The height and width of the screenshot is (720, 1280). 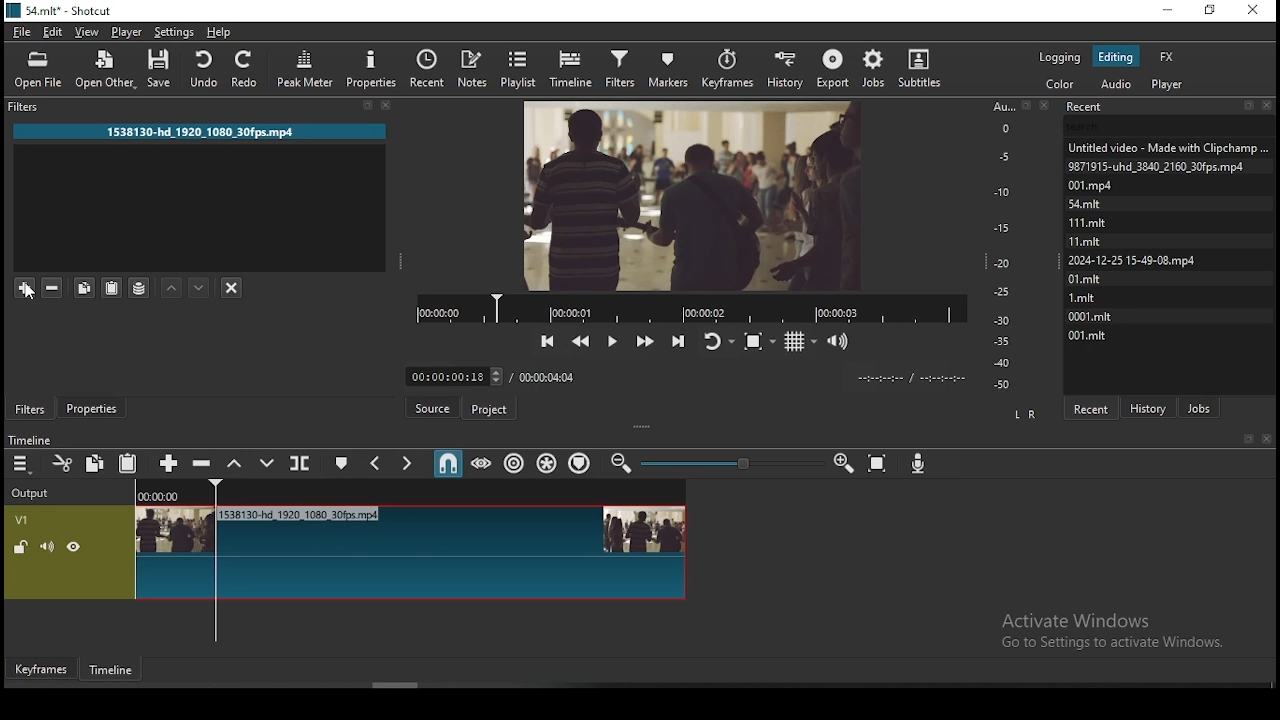 I want to click on timeline, so click(x=574, y=68).